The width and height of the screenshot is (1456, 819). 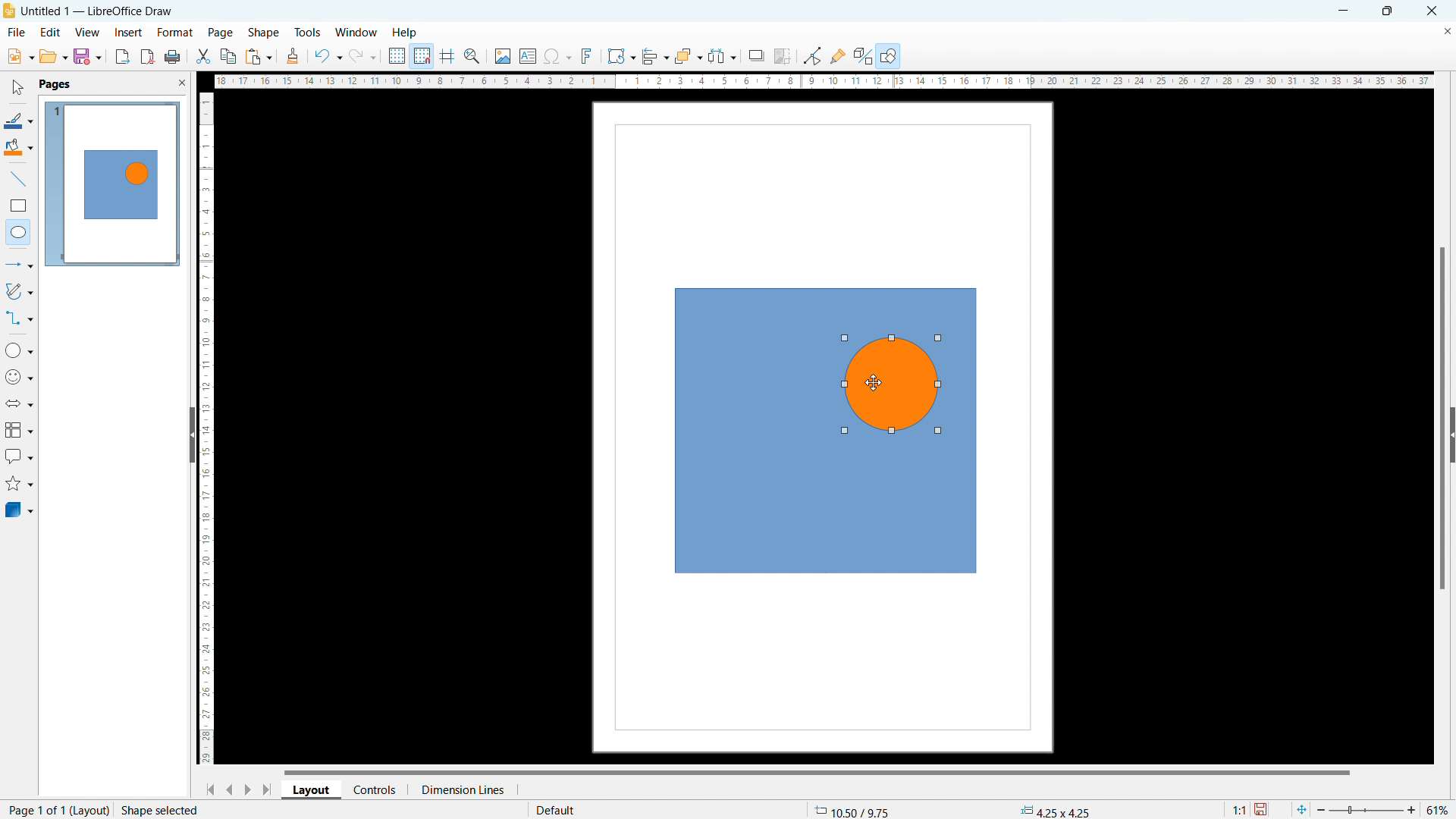 What do you see at coordinates (422, 55) in the screenshot?
I see `snap to grid` at bounding box center [422, 55].